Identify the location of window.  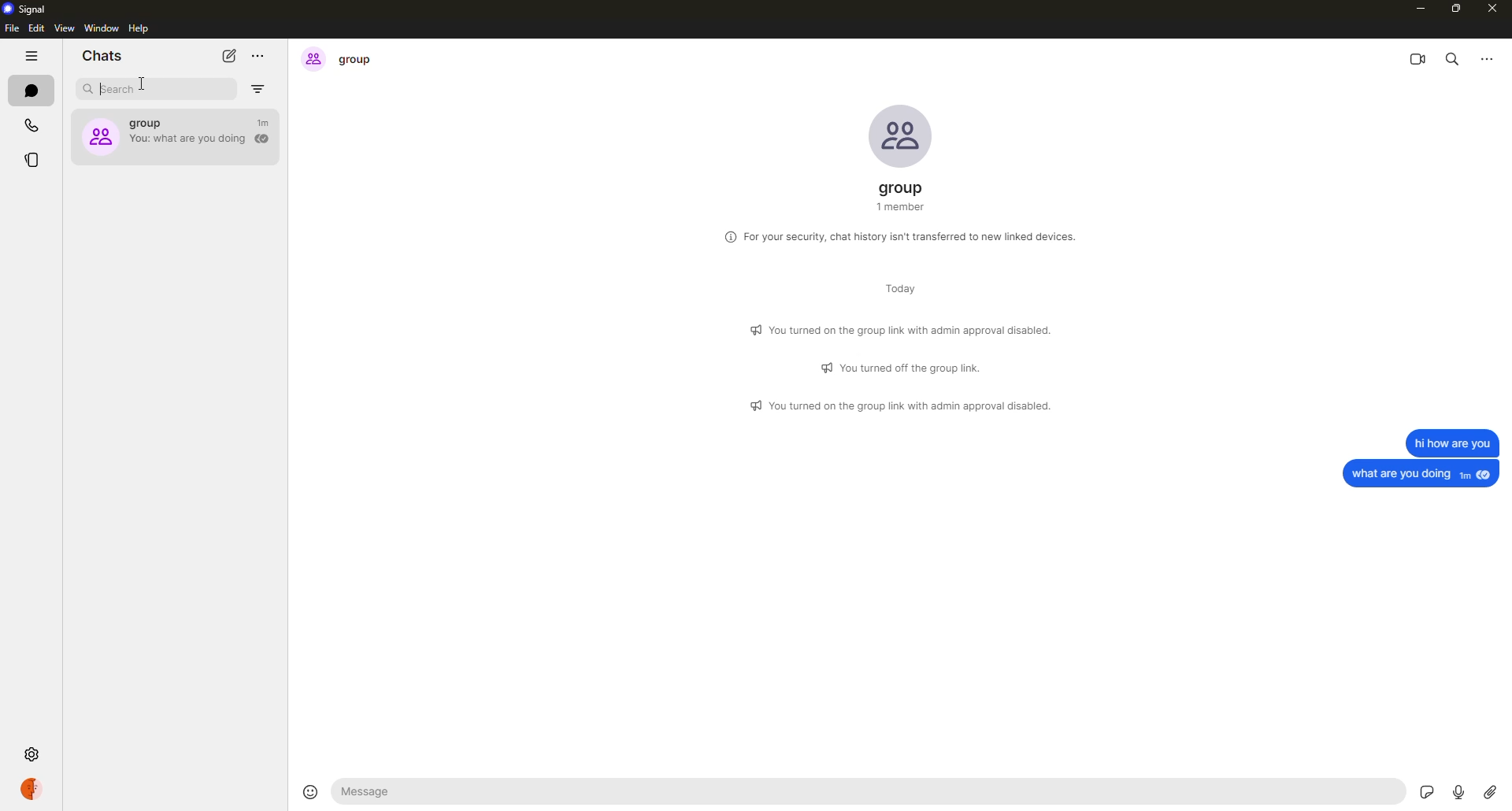
(101, 28).